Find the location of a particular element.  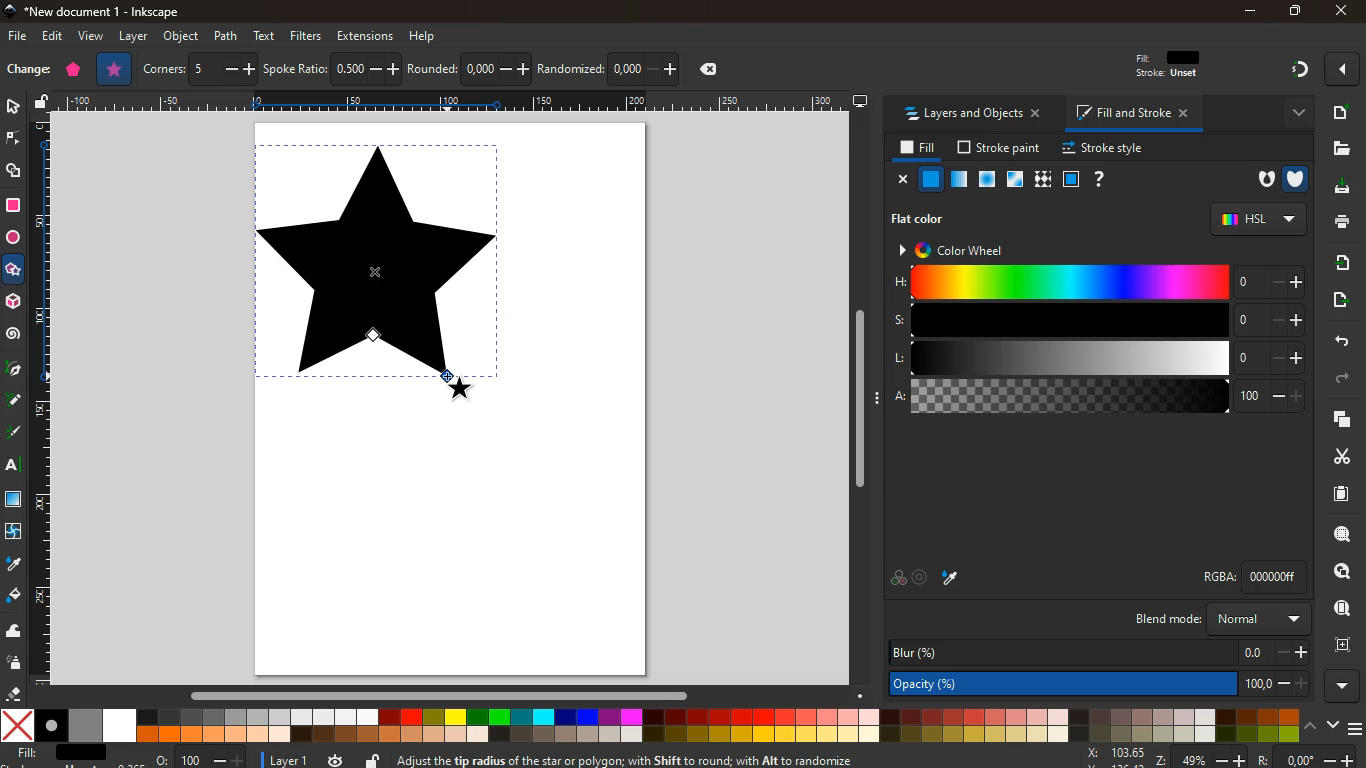

layer 1 is located at coordinates (293, 760).